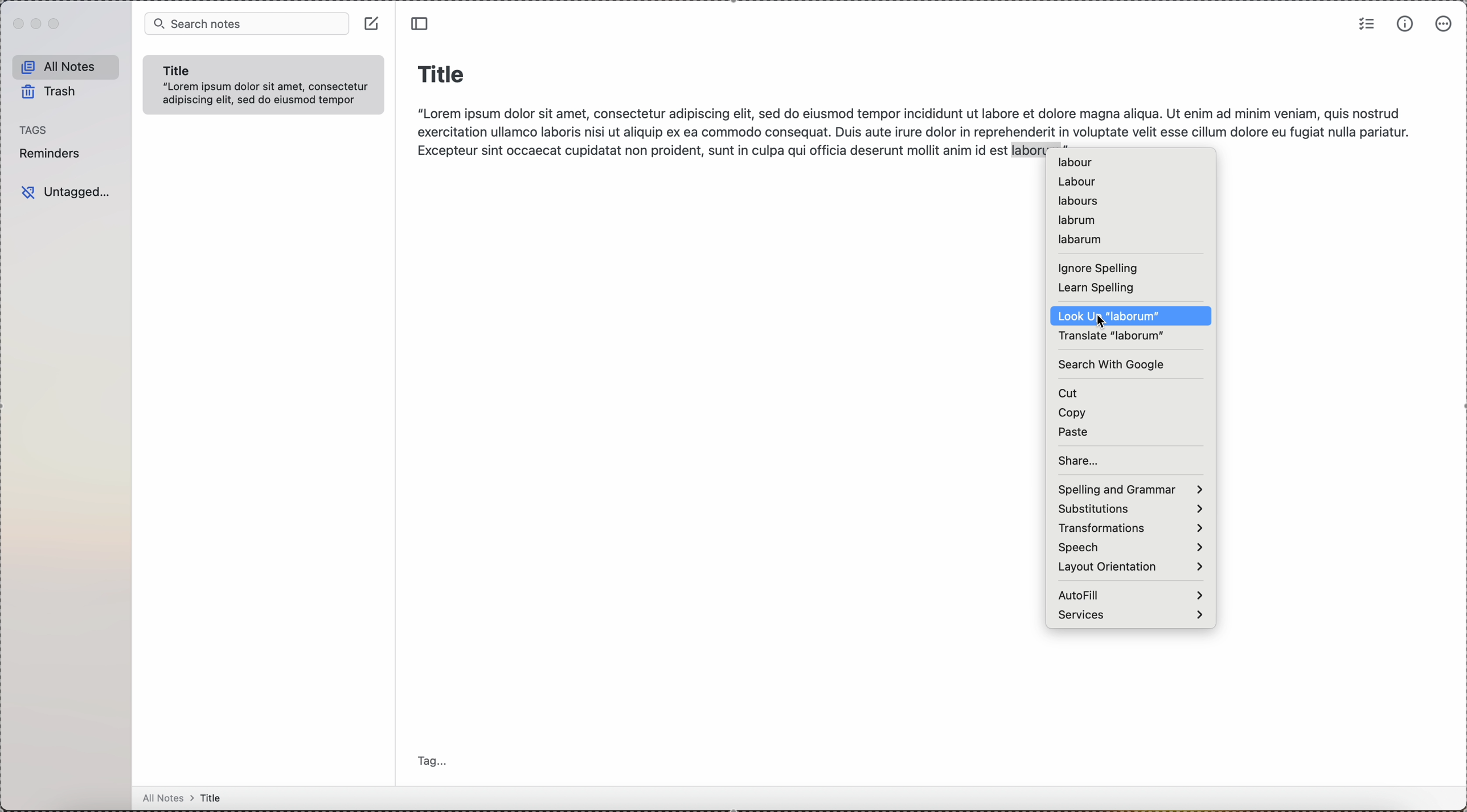  I want to click on services, so click(1130, 617).